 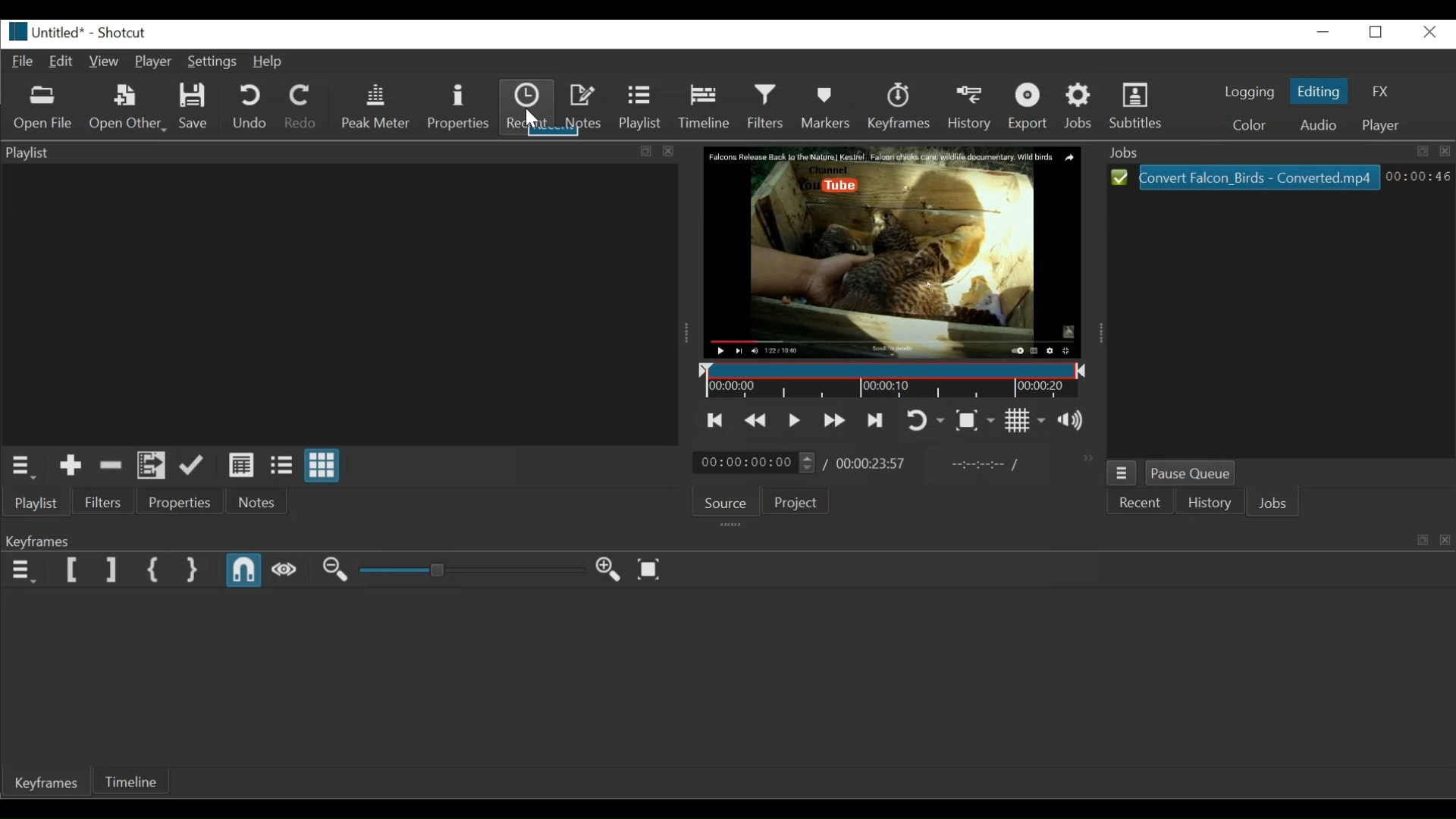 What do you see at coordinates (1026, 421) in the screenshot?
I see `Toggle player on grid` at bounding box center [1026, 421].